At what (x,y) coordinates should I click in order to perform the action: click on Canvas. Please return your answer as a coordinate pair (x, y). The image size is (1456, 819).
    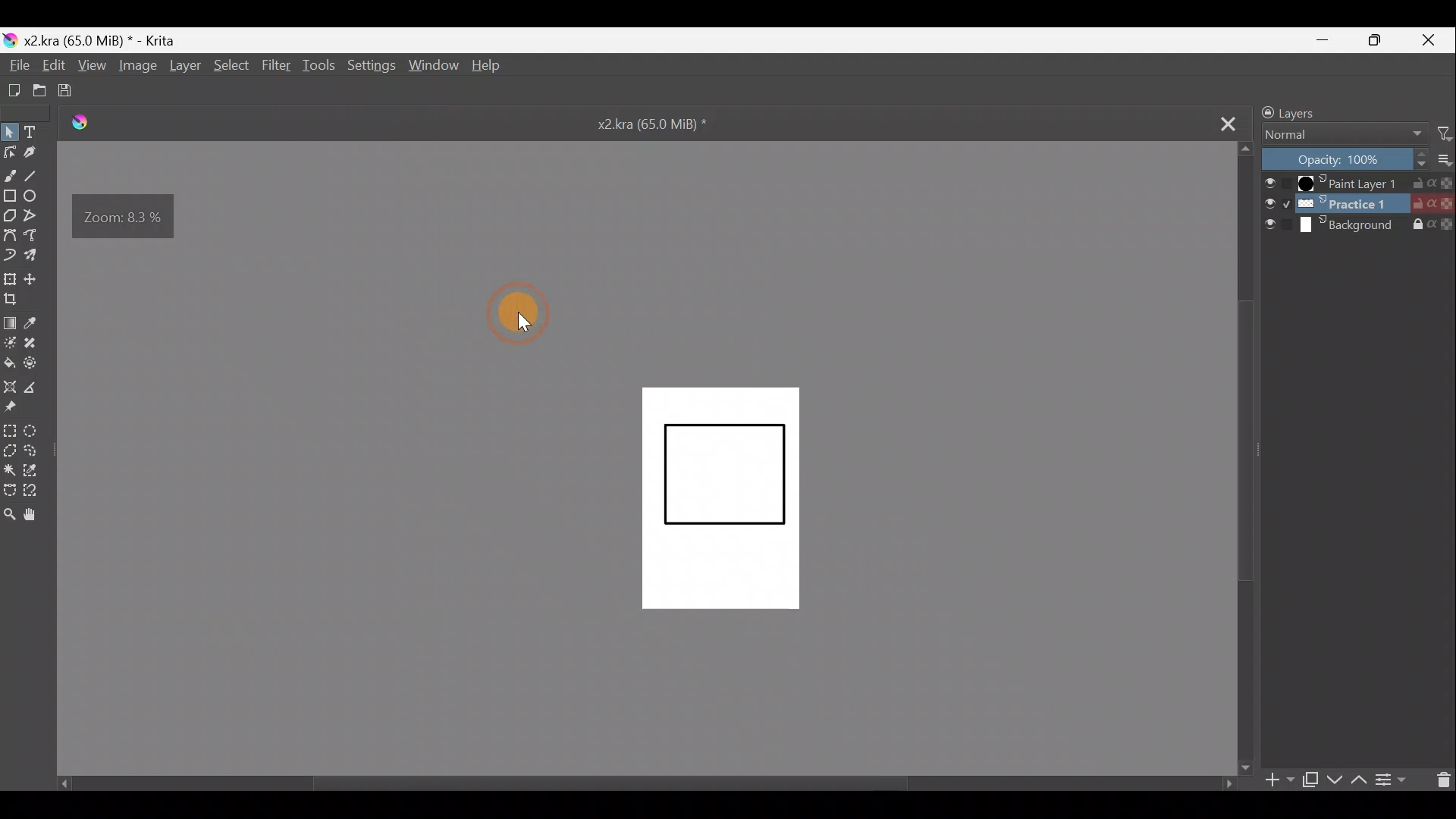
    Looking at the image, I should click on (756, 516).